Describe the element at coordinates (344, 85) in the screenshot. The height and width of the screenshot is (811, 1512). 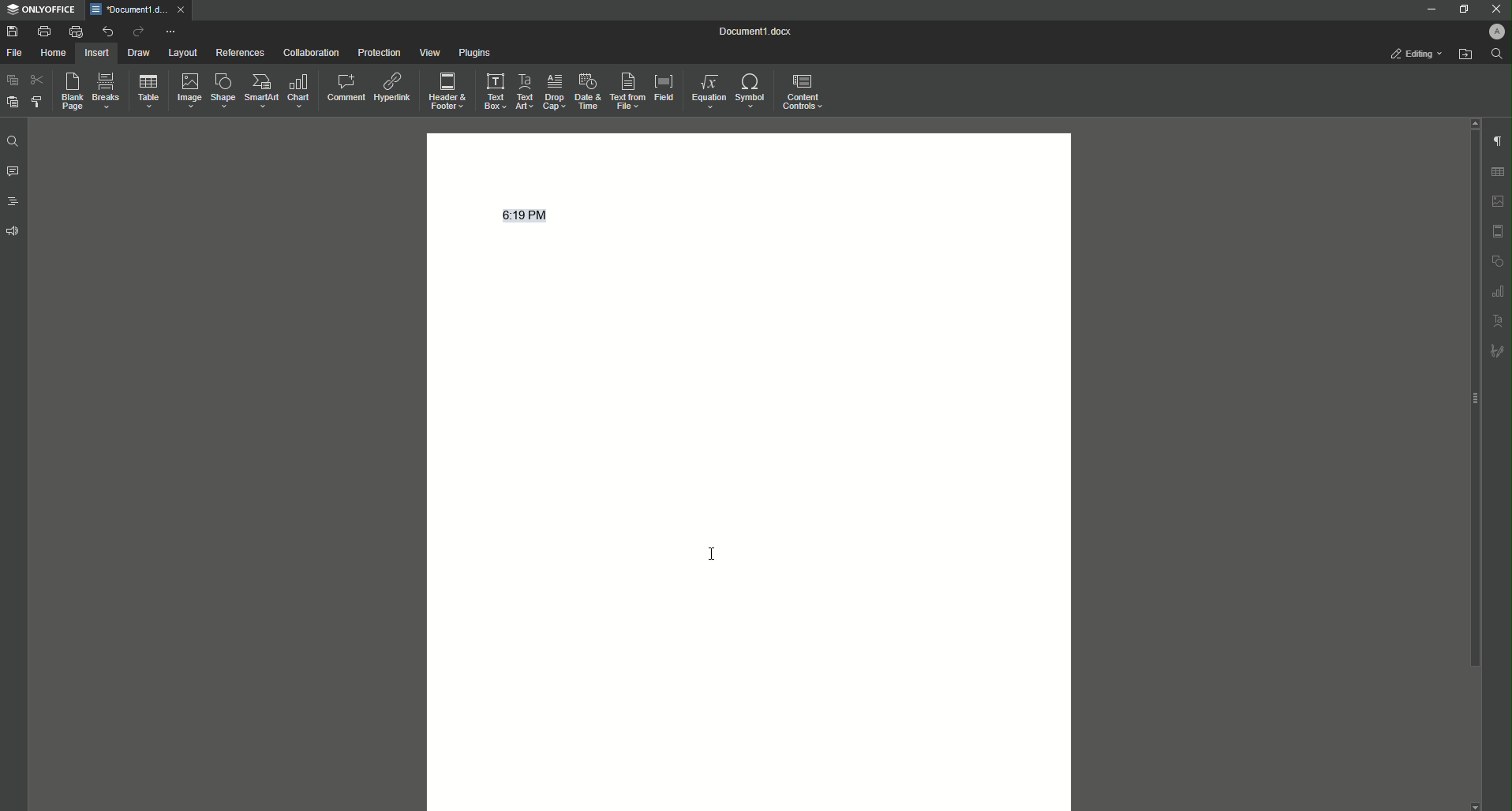
I see `Comment` at that location.